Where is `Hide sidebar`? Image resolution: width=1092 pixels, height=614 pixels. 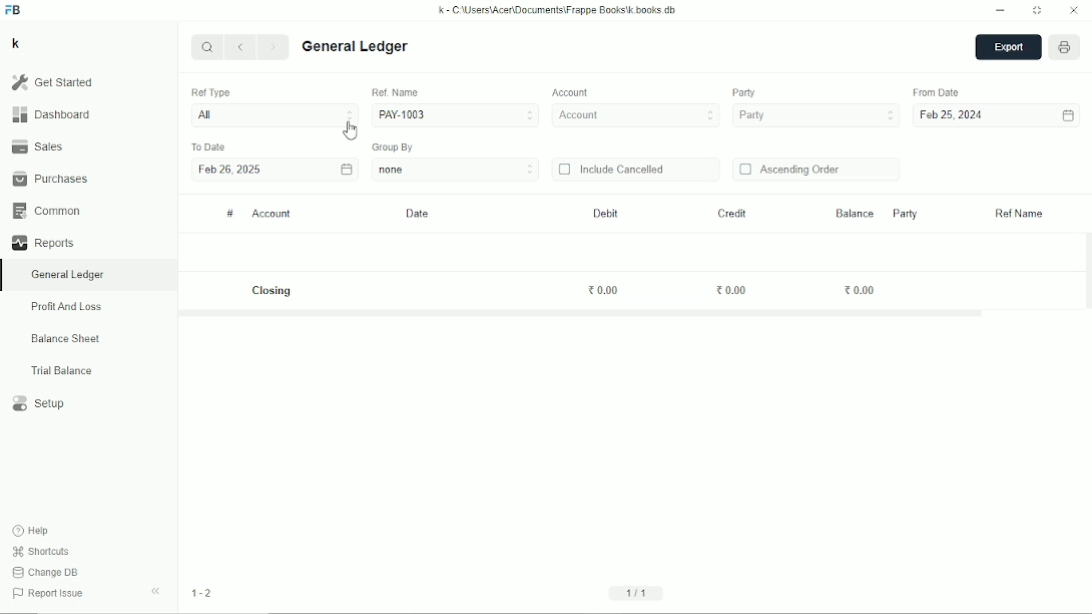 Hide sidebar is located at coordinates (156, 592).